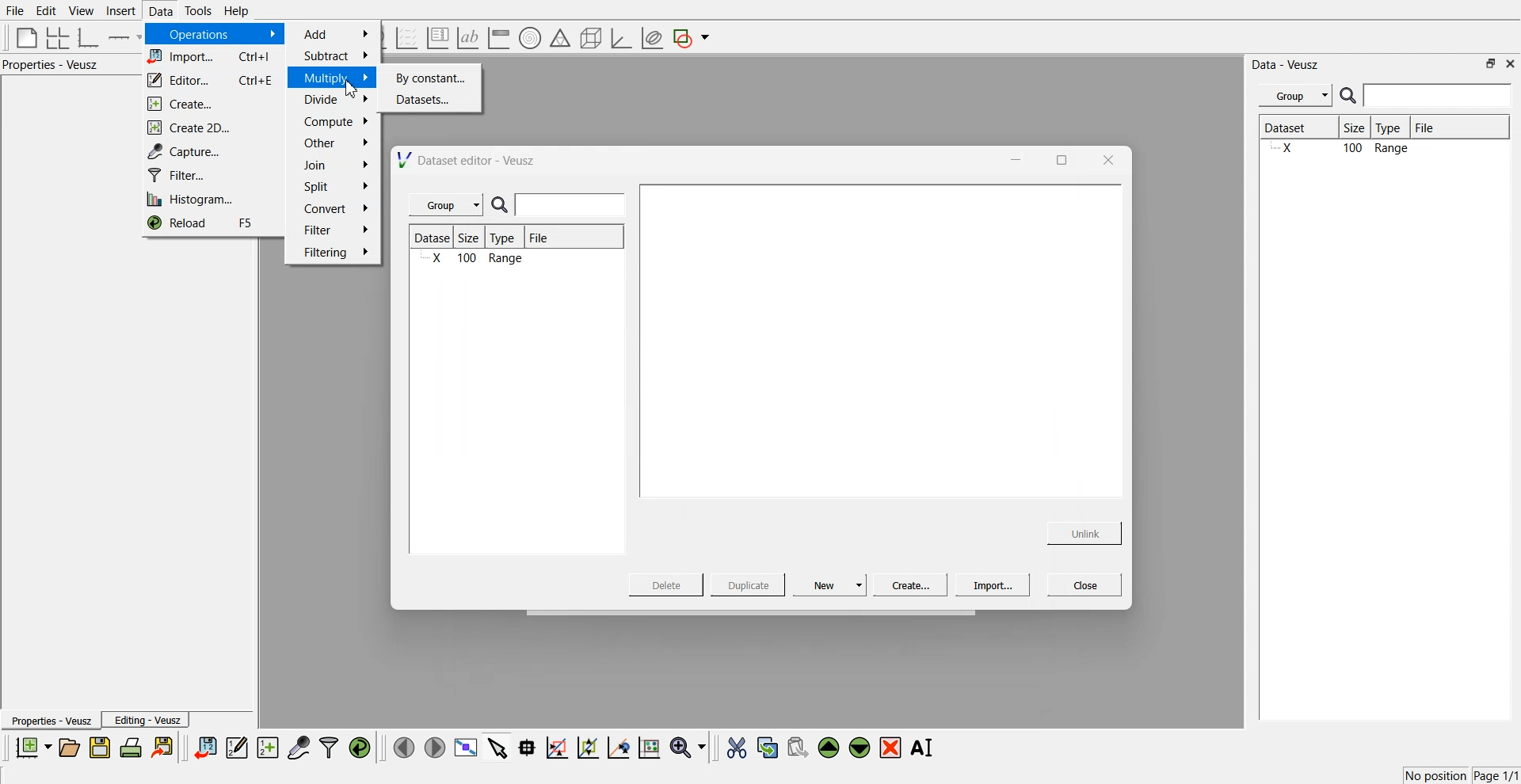  Describe the element at coordinates (119, 11) in the screenshot. I see `Insert` at that location.